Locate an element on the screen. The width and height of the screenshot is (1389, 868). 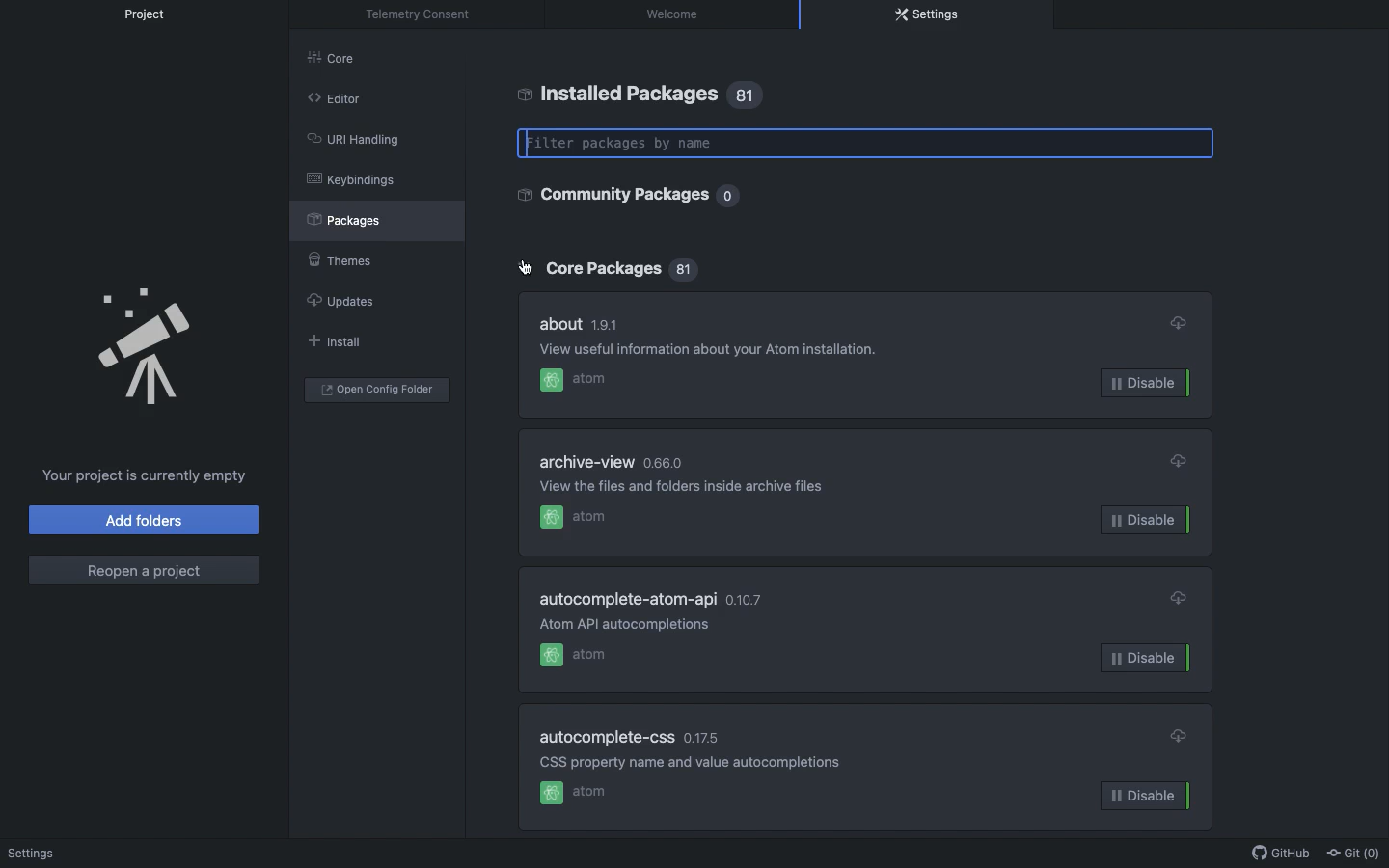
81 is located at coordinates (689, 272).